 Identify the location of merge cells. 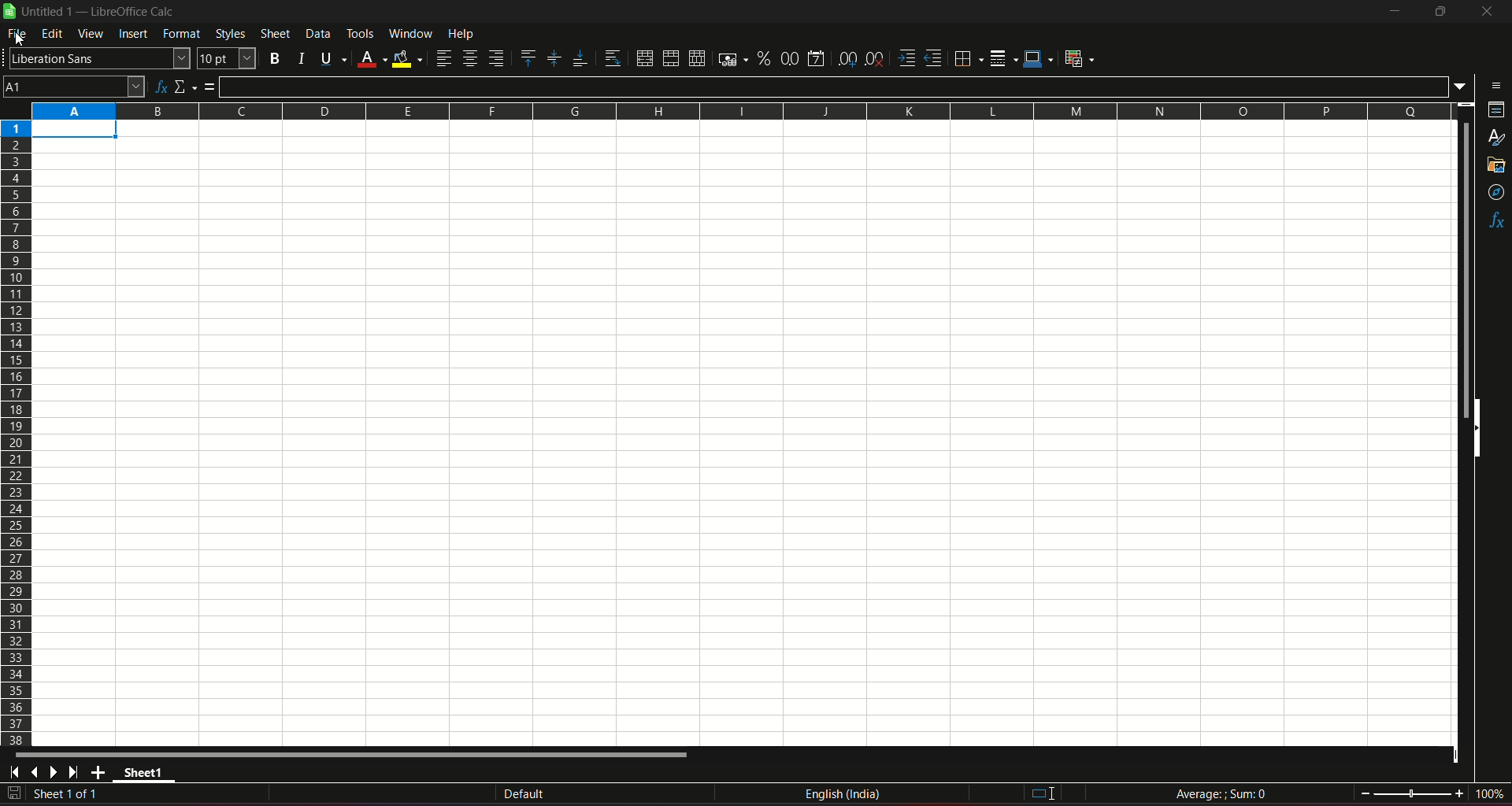
(671, 57).